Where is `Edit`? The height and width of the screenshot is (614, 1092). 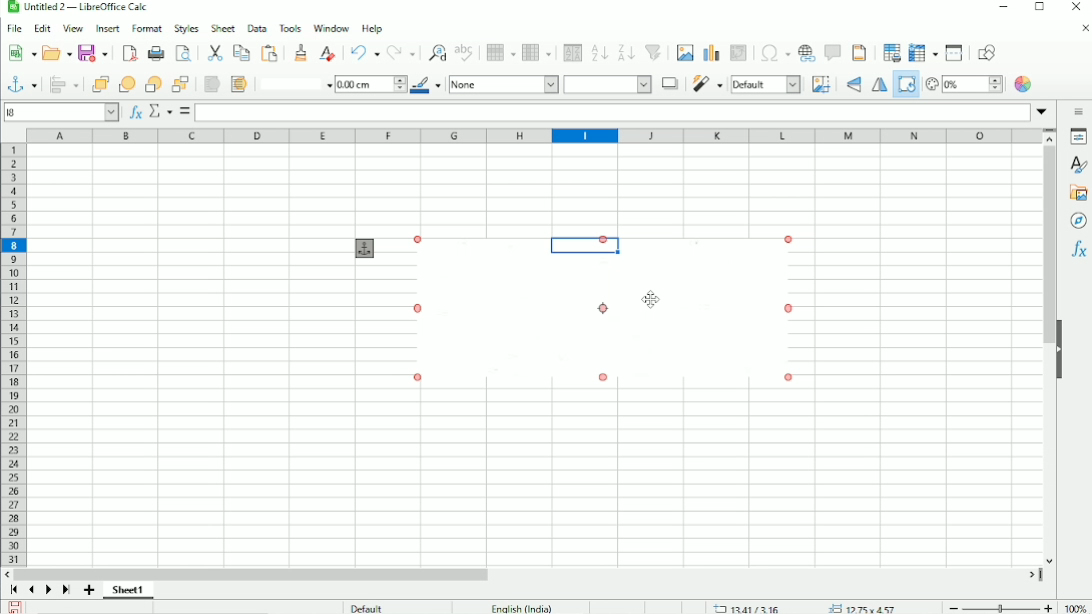 Edit is located at coordinates (42, 29).